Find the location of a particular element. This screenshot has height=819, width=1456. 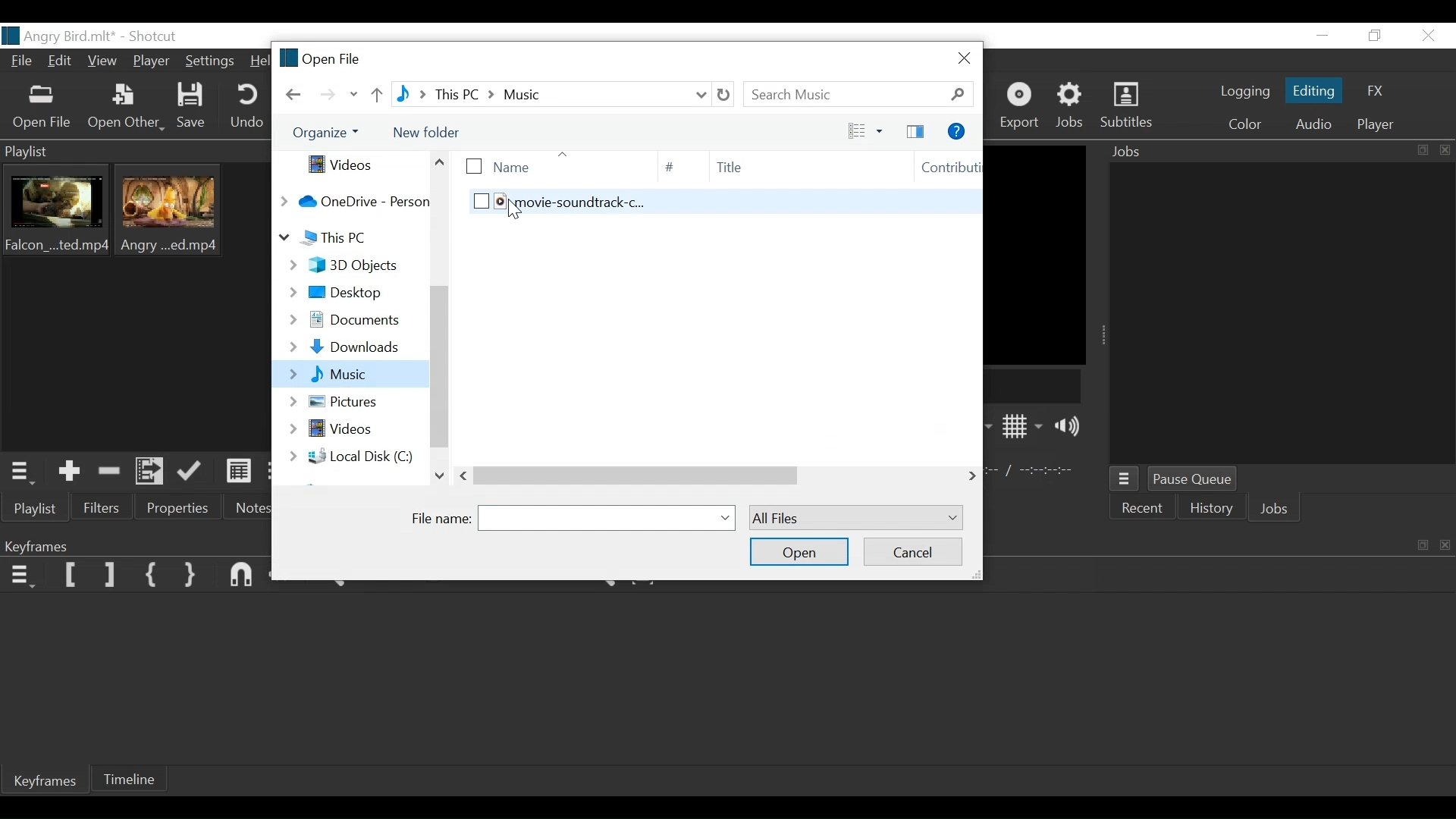

Jobs Panel is located at coordinates (1281, 315).